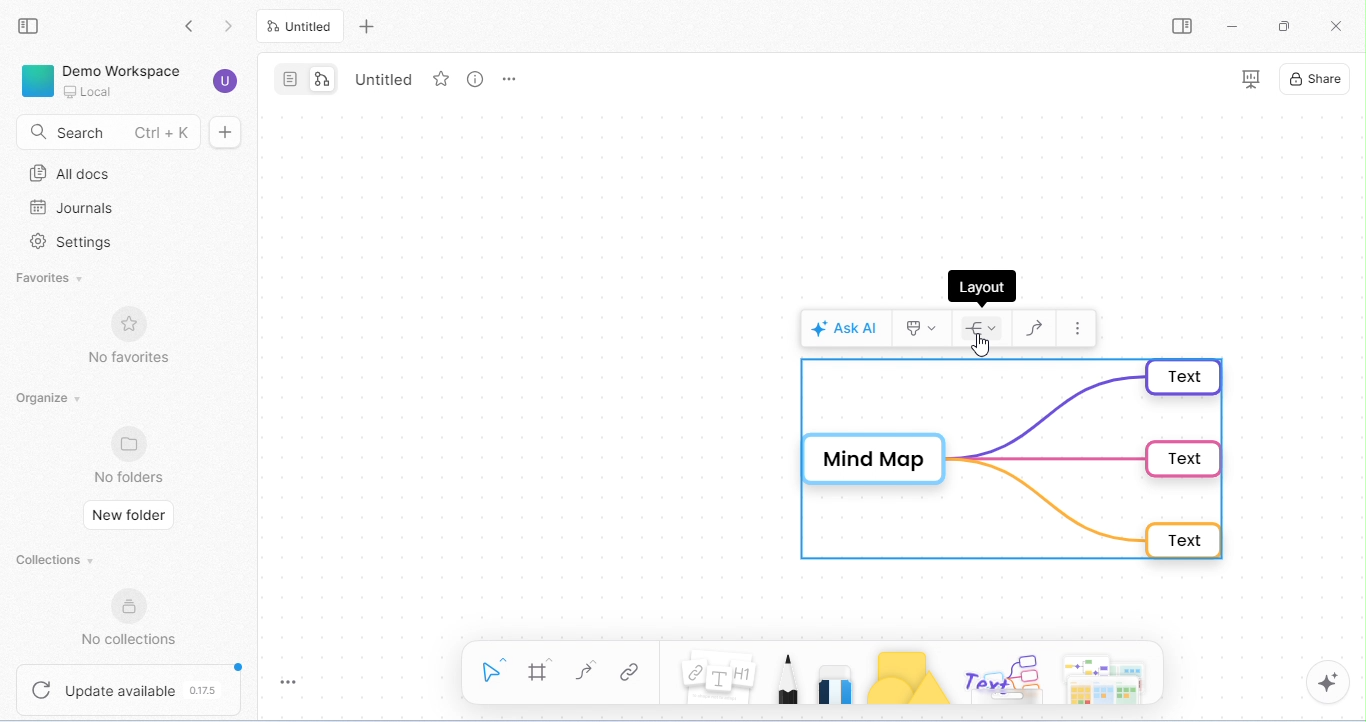  I want to click on maximize, so click(1282, 26).